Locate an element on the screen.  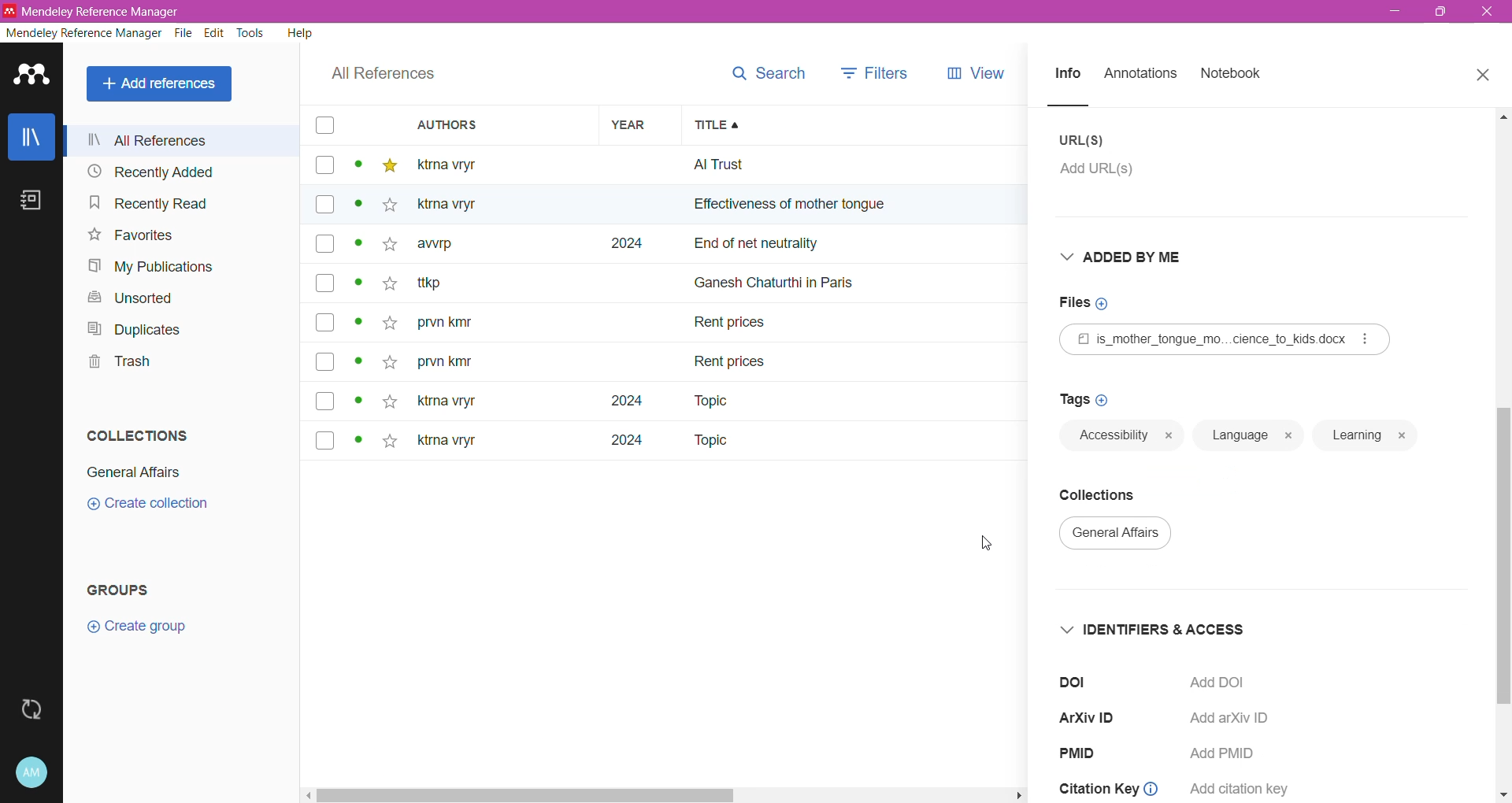
Topic is located at coordinates (709, 442).